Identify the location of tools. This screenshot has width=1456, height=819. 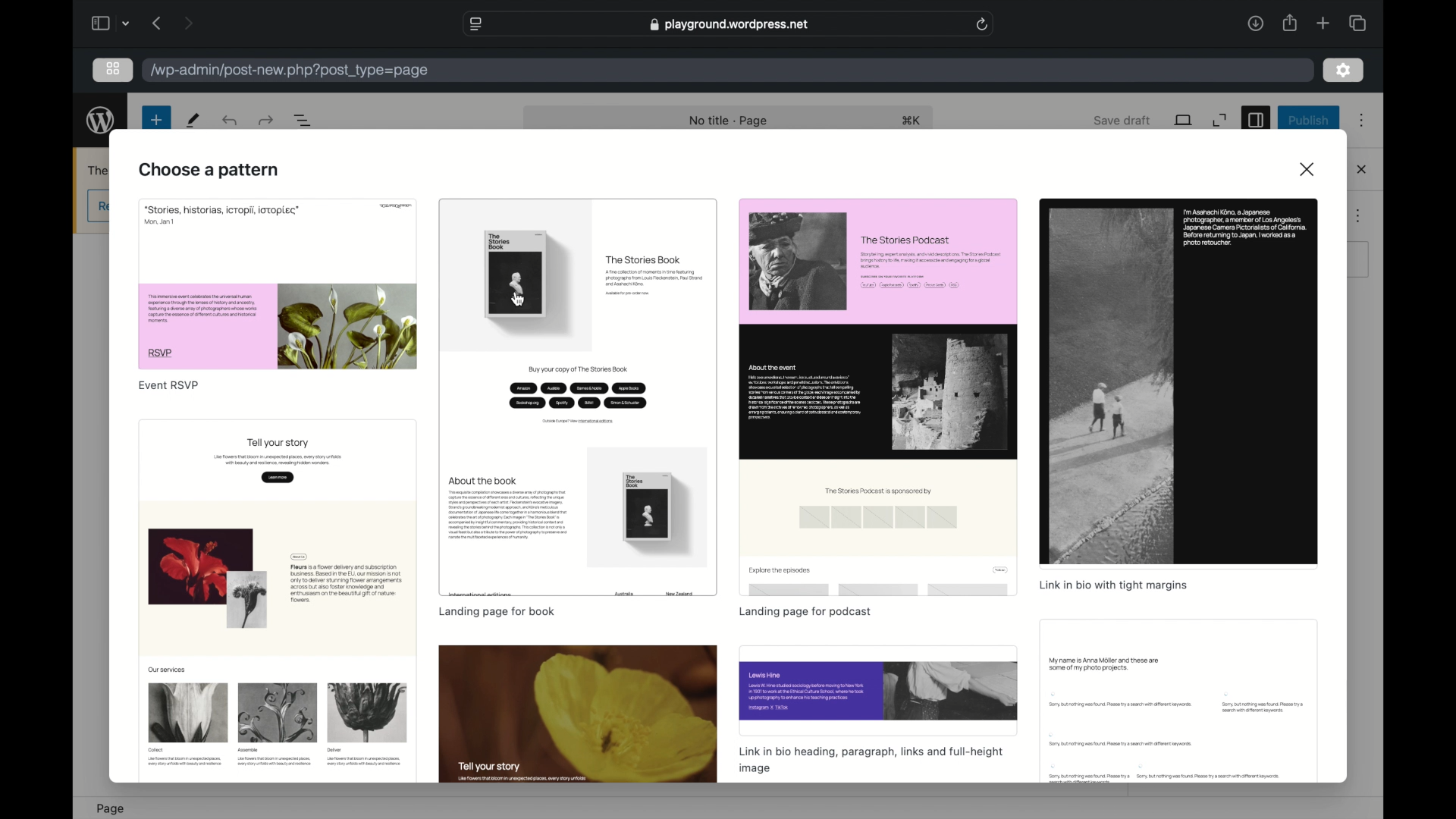
(193, 121).